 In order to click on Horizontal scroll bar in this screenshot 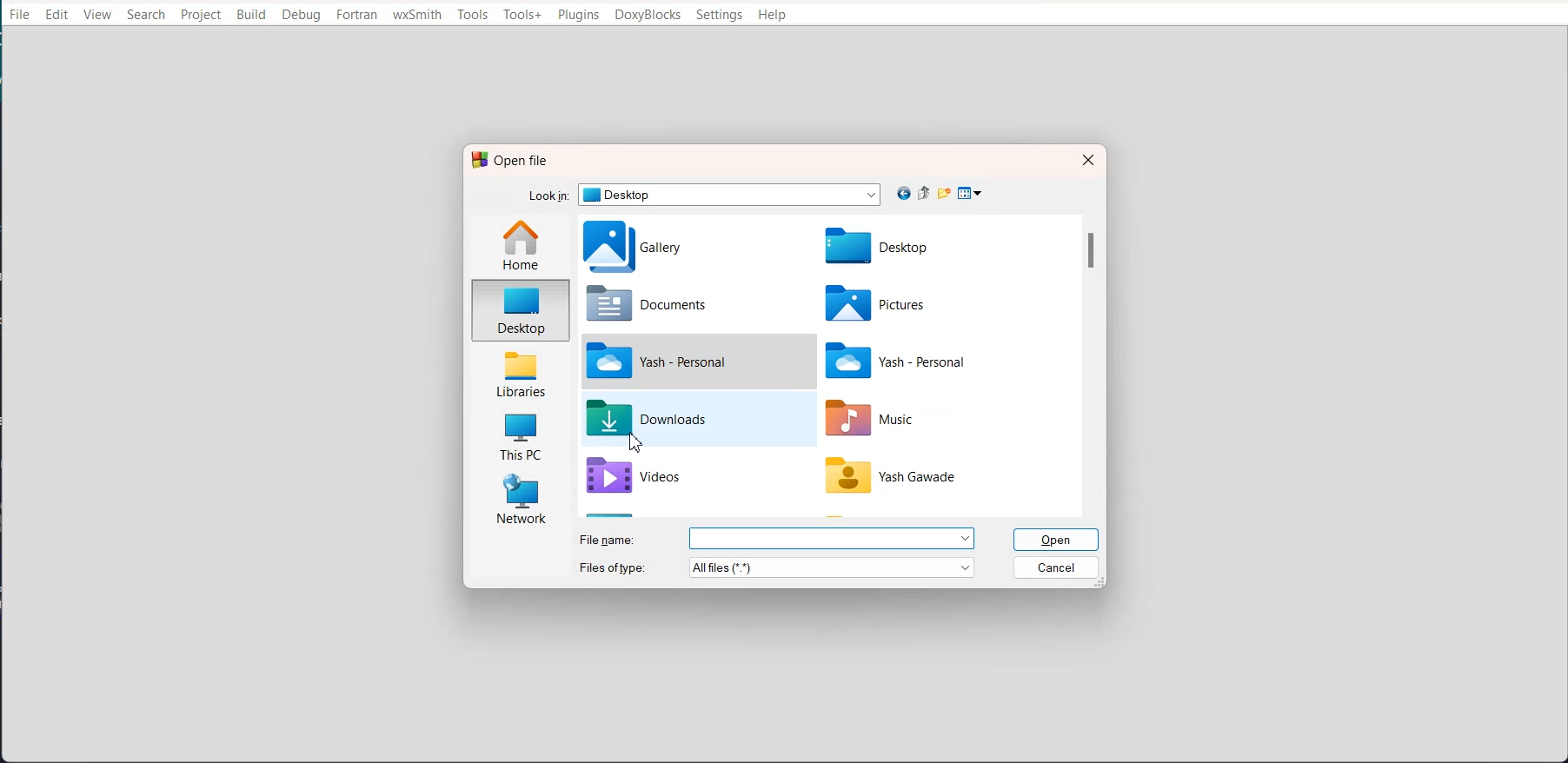, I will do `click(838, 517)`.